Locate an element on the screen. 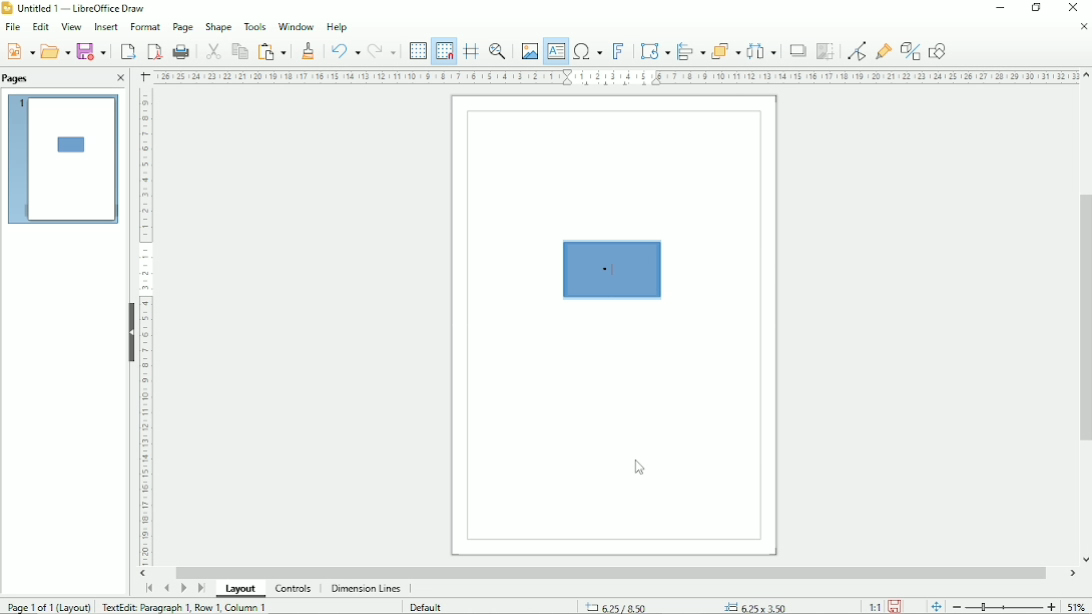  Close is located at coordinates (1083, 27).